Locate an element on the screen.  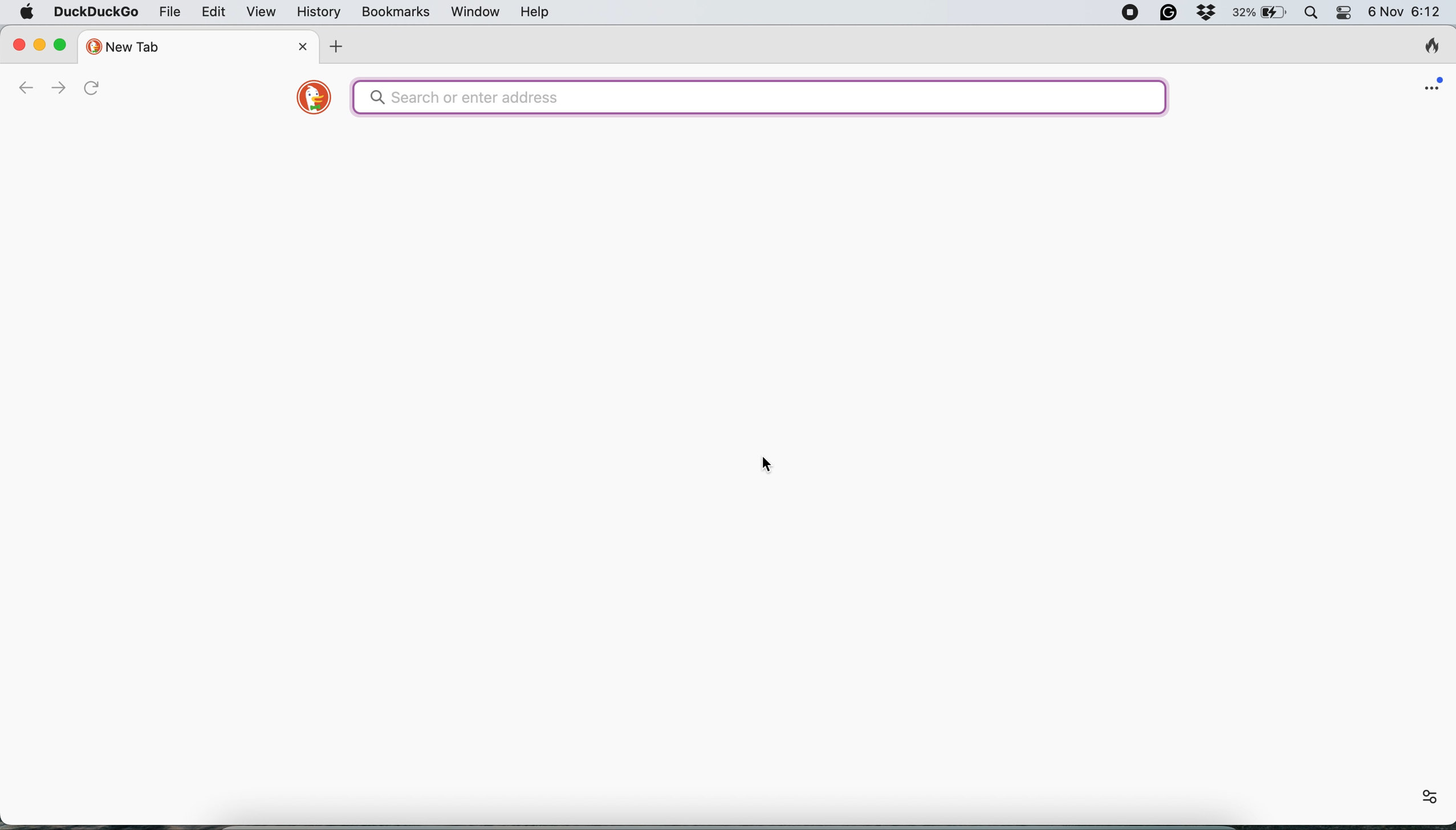
close is located at coordinates (19, 42).